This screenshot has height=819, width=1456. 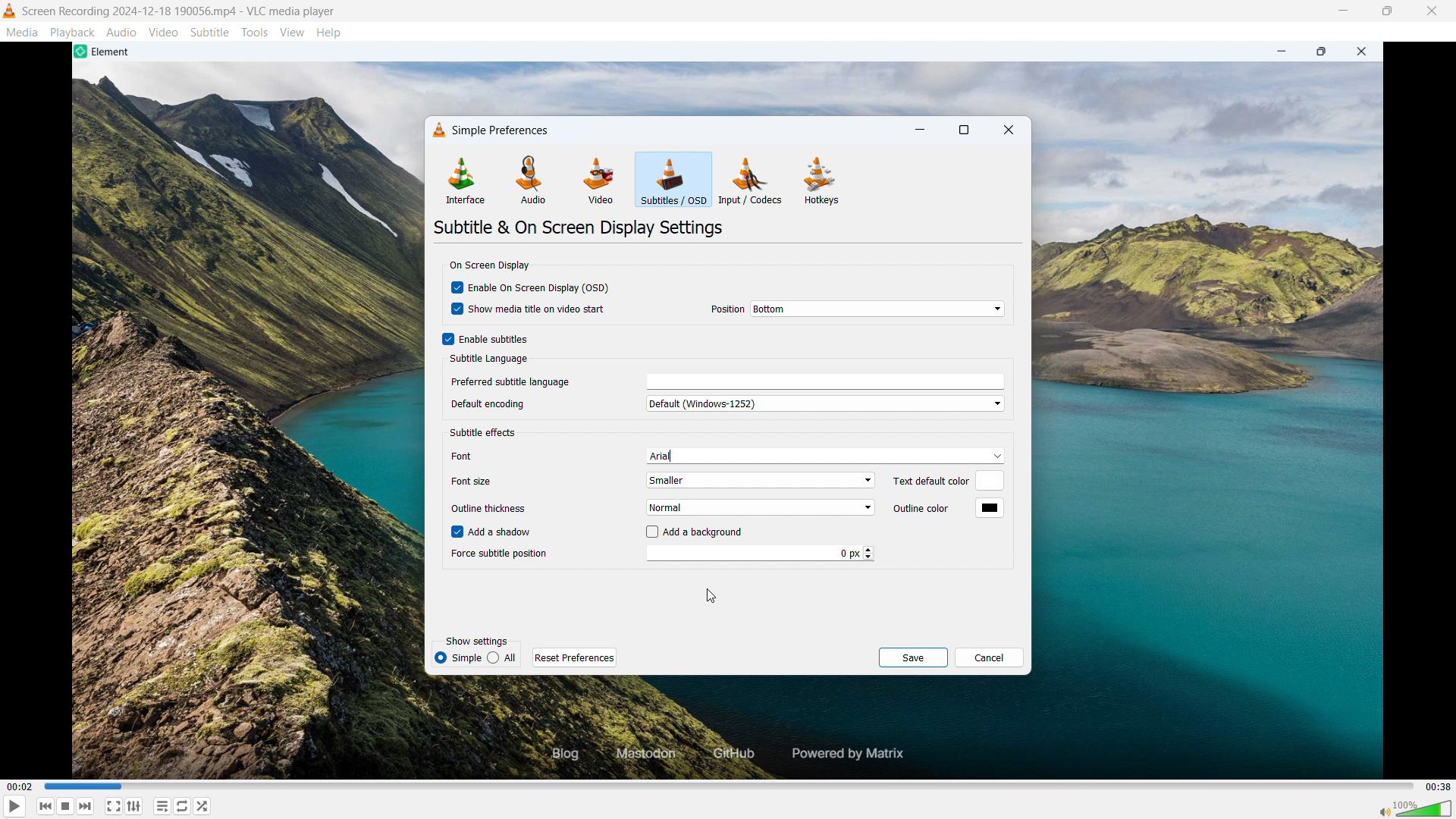 What do you see at coordinates (45, 806) in the screenshot?
I see `backward or previous media` at bounding box center [45, 806].